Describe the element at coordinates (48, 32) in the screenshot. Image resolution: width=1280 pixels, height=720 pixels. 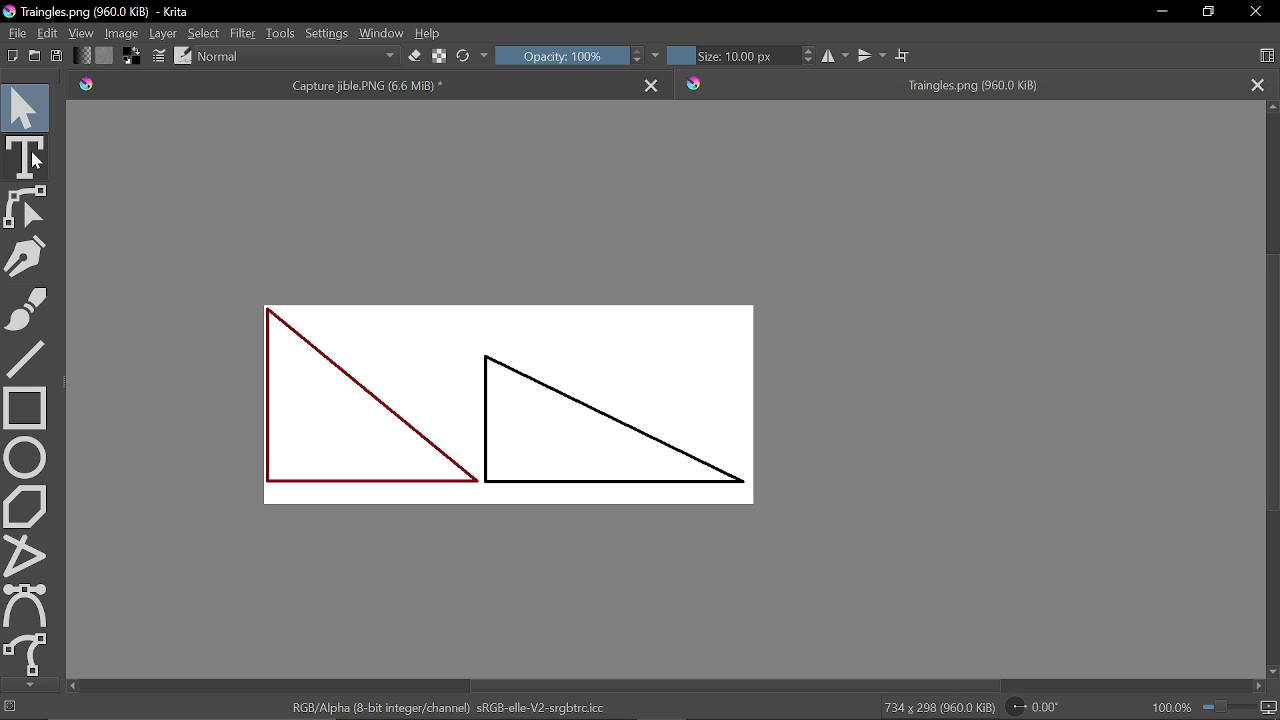
I see `Edit` at that location.